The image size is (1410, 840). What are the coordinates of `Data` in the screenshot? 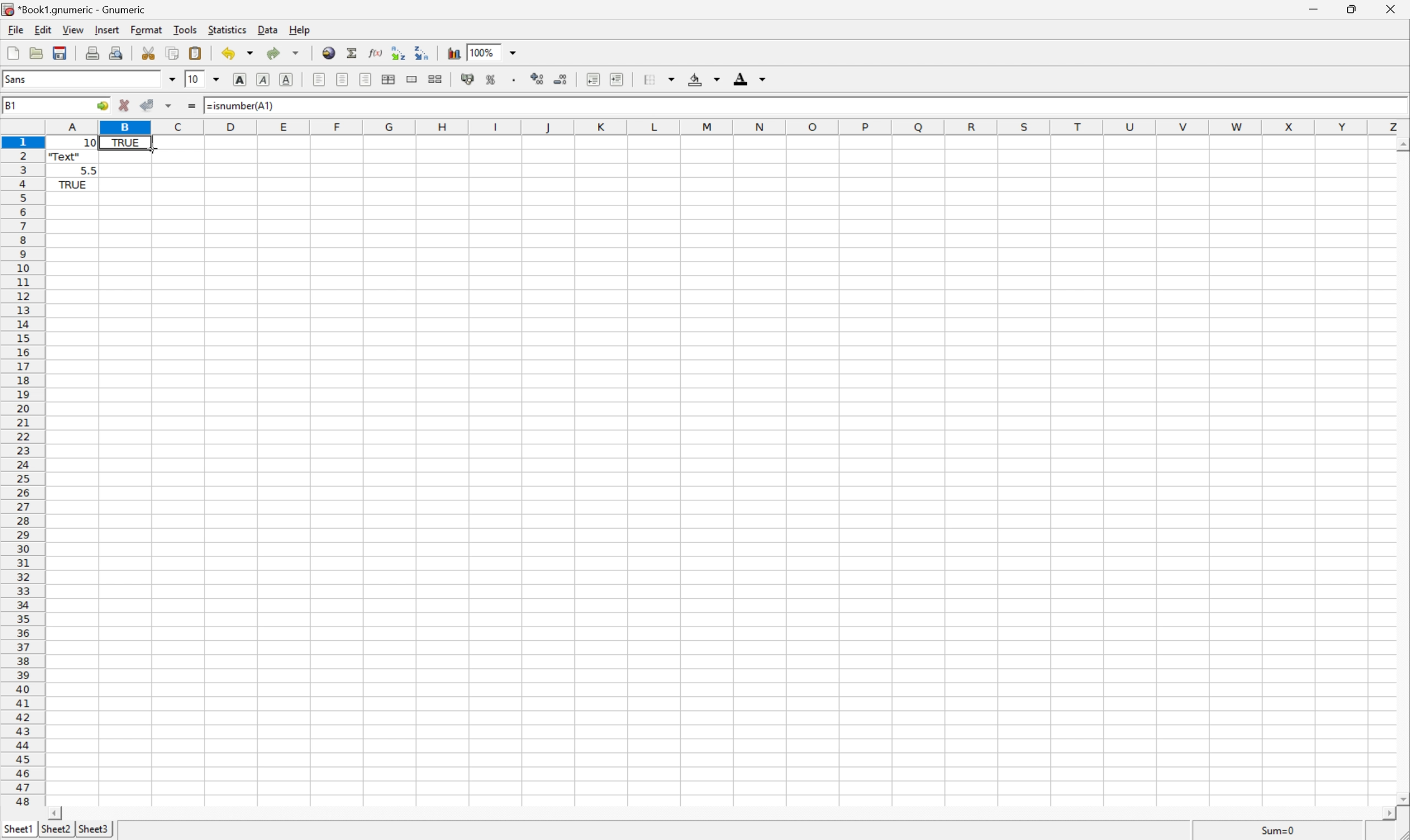 It's located at (266, 29).